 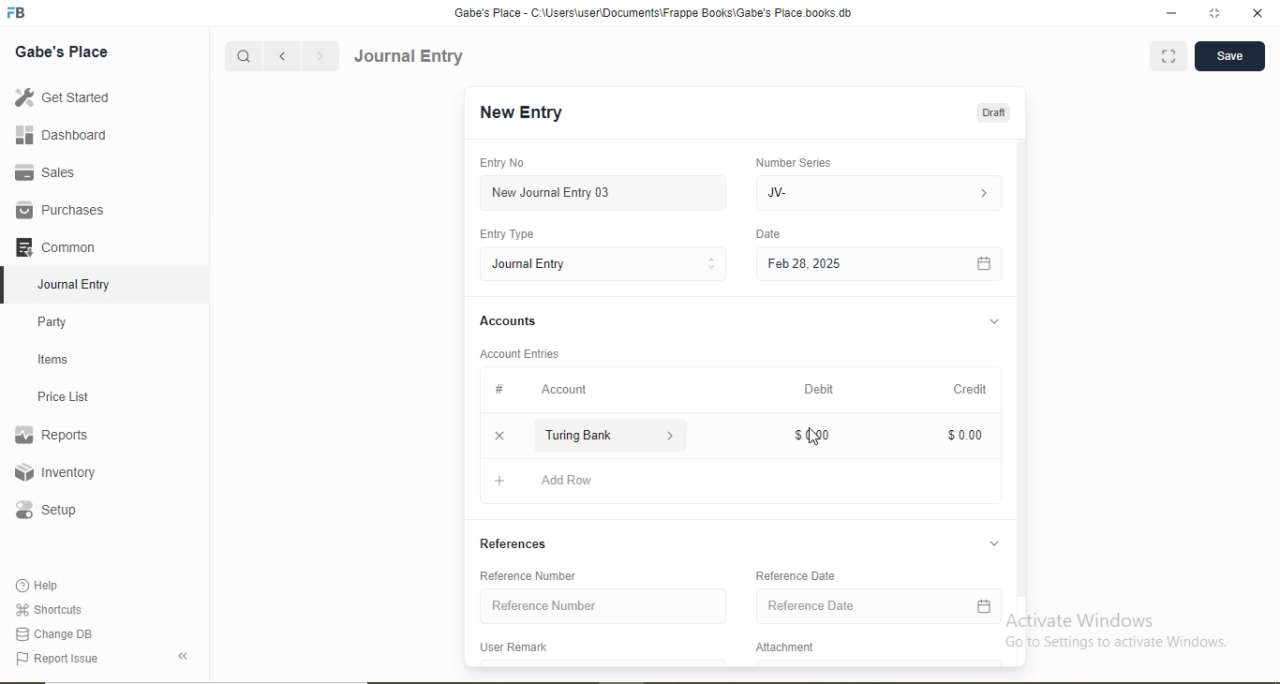 I want to click on full screen, so click(x=1215, y=13).